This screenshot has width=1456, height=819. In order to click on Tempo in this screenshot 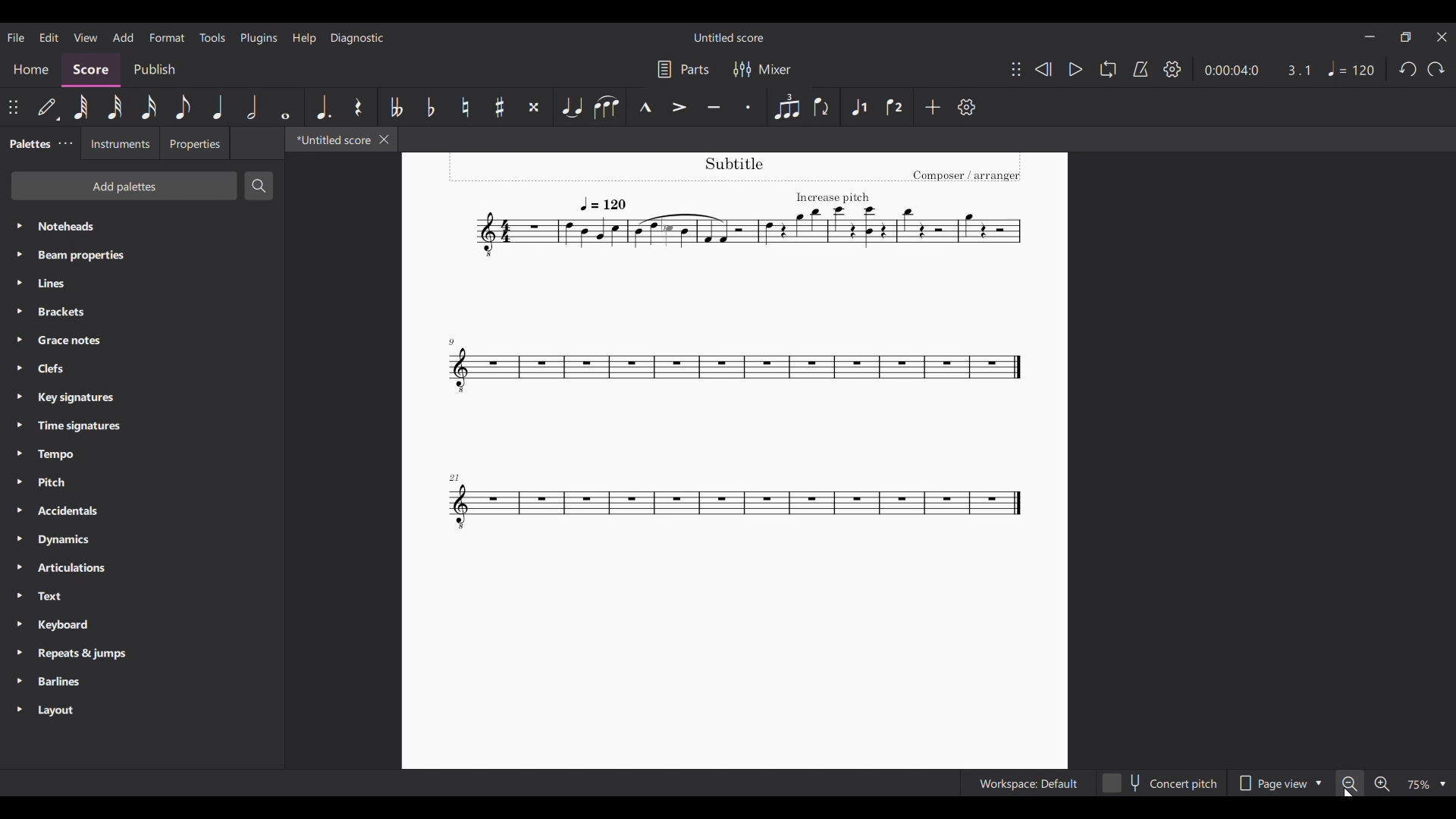, I will do `click(1353, 68)`.